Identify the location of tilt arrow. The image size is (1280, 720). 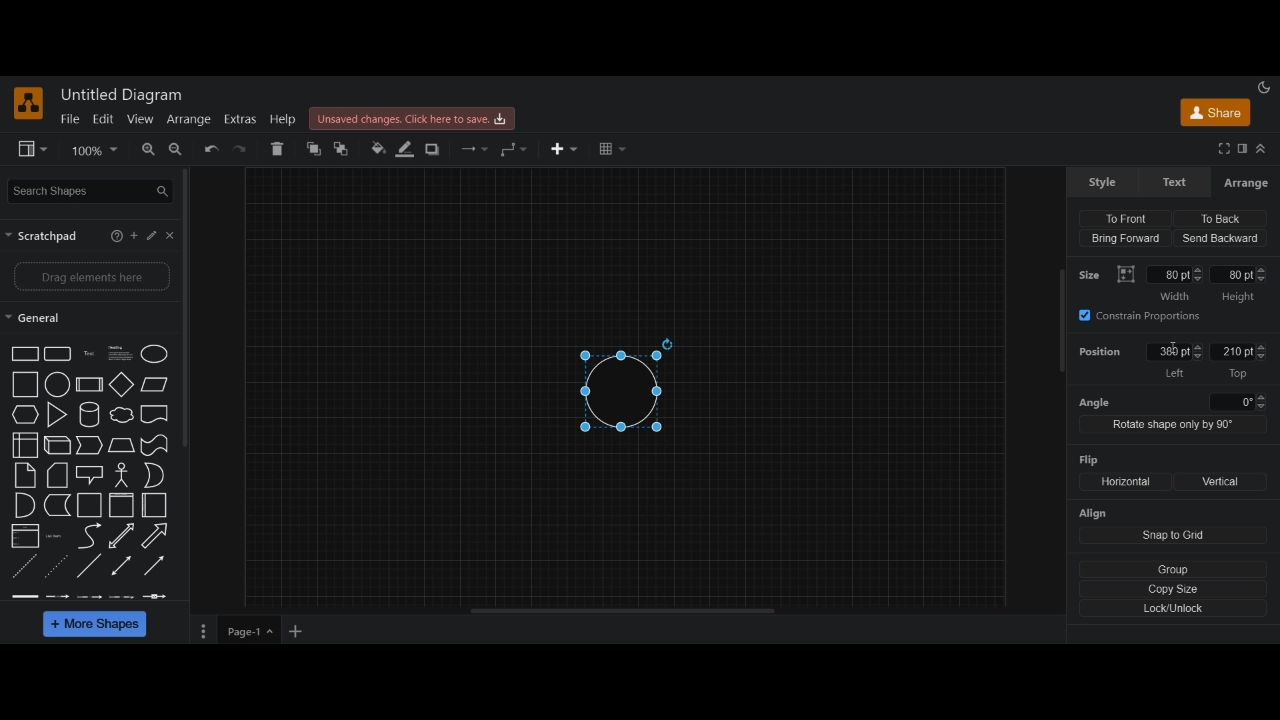
(122, 536).